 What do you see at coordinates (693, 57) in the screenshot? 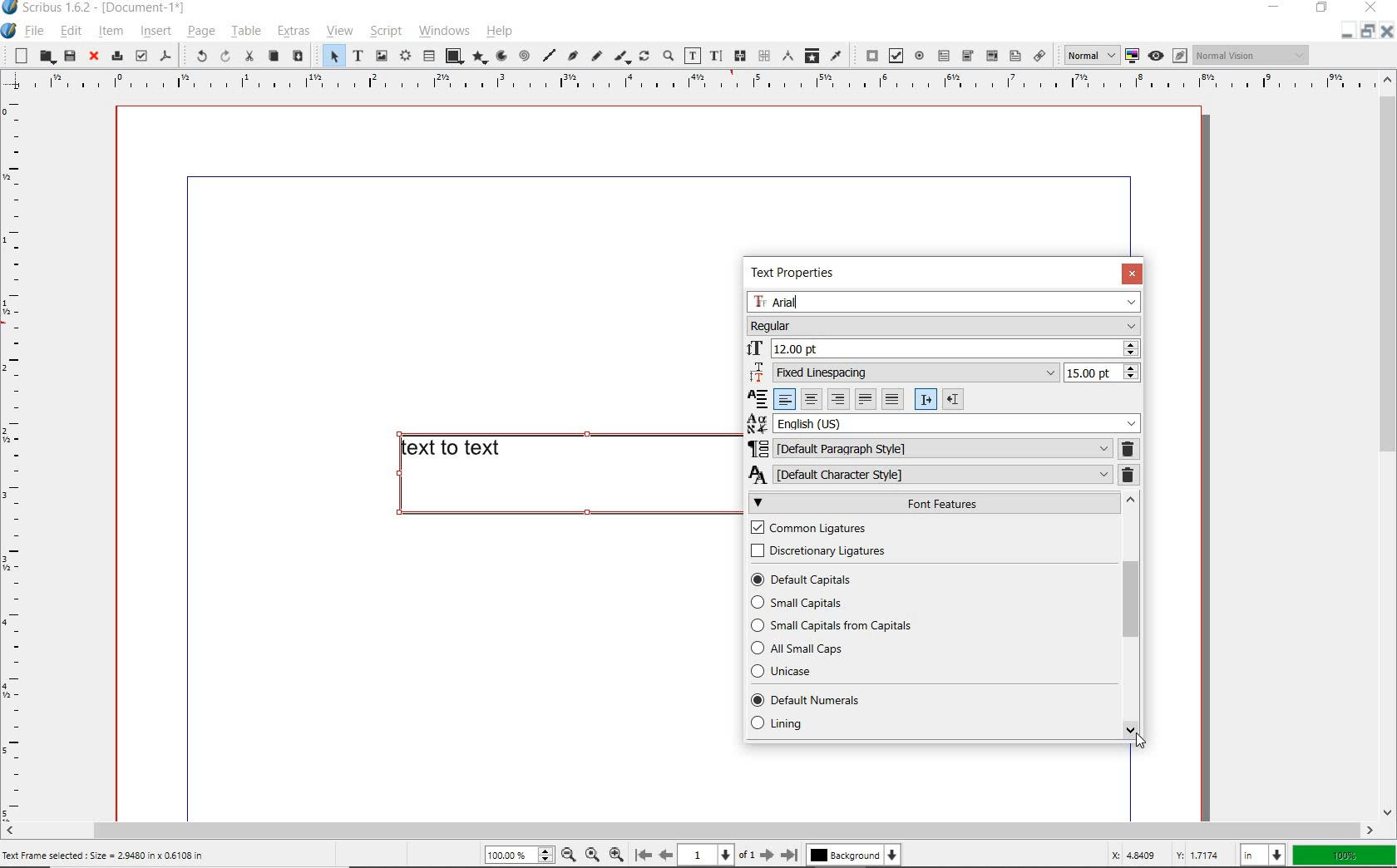
I see `edit contents of frame` at bounding box center [693, 57].